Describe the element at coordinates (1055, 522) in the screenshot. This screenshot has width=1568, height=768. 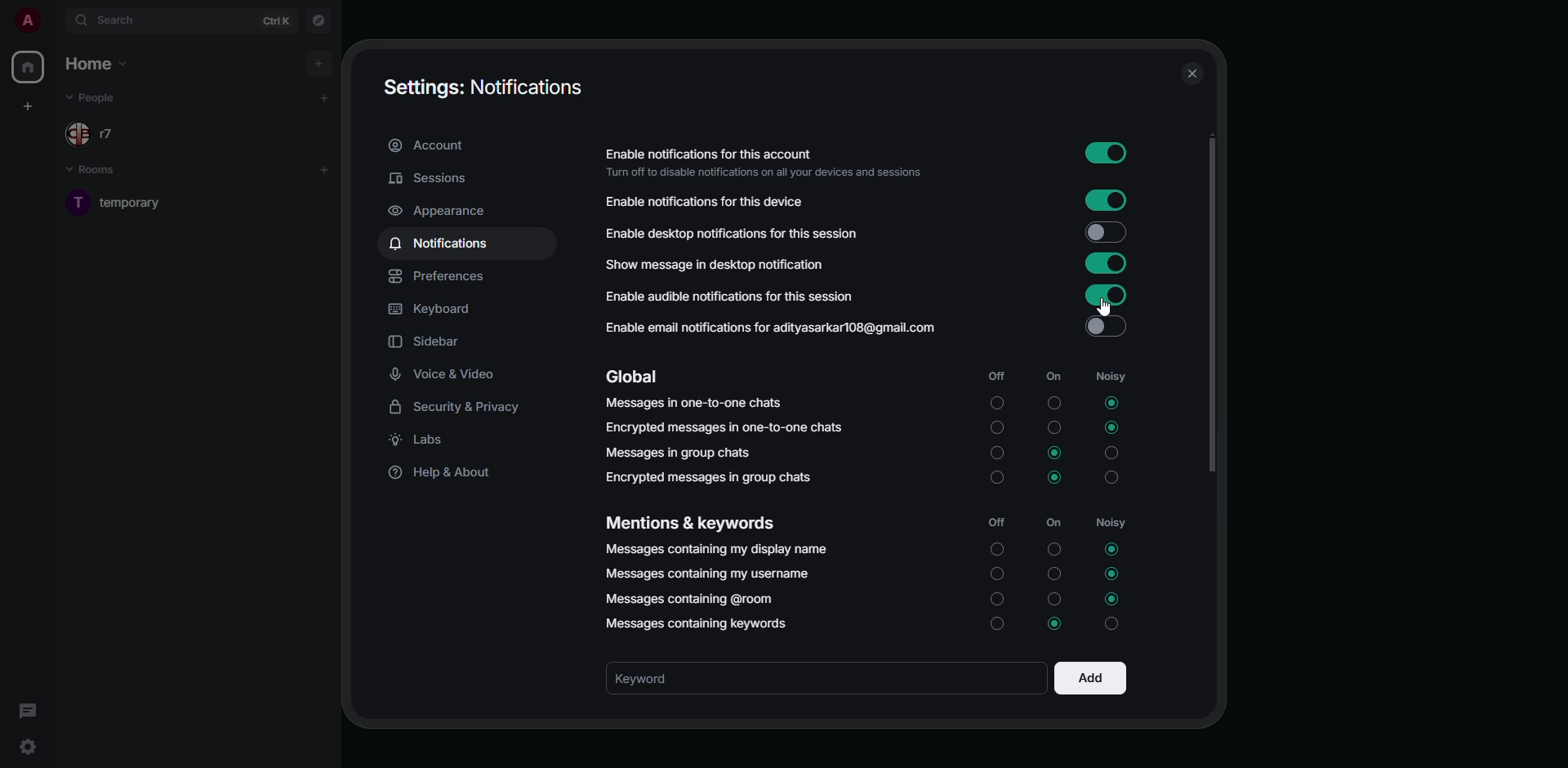
I see `on` at that location.